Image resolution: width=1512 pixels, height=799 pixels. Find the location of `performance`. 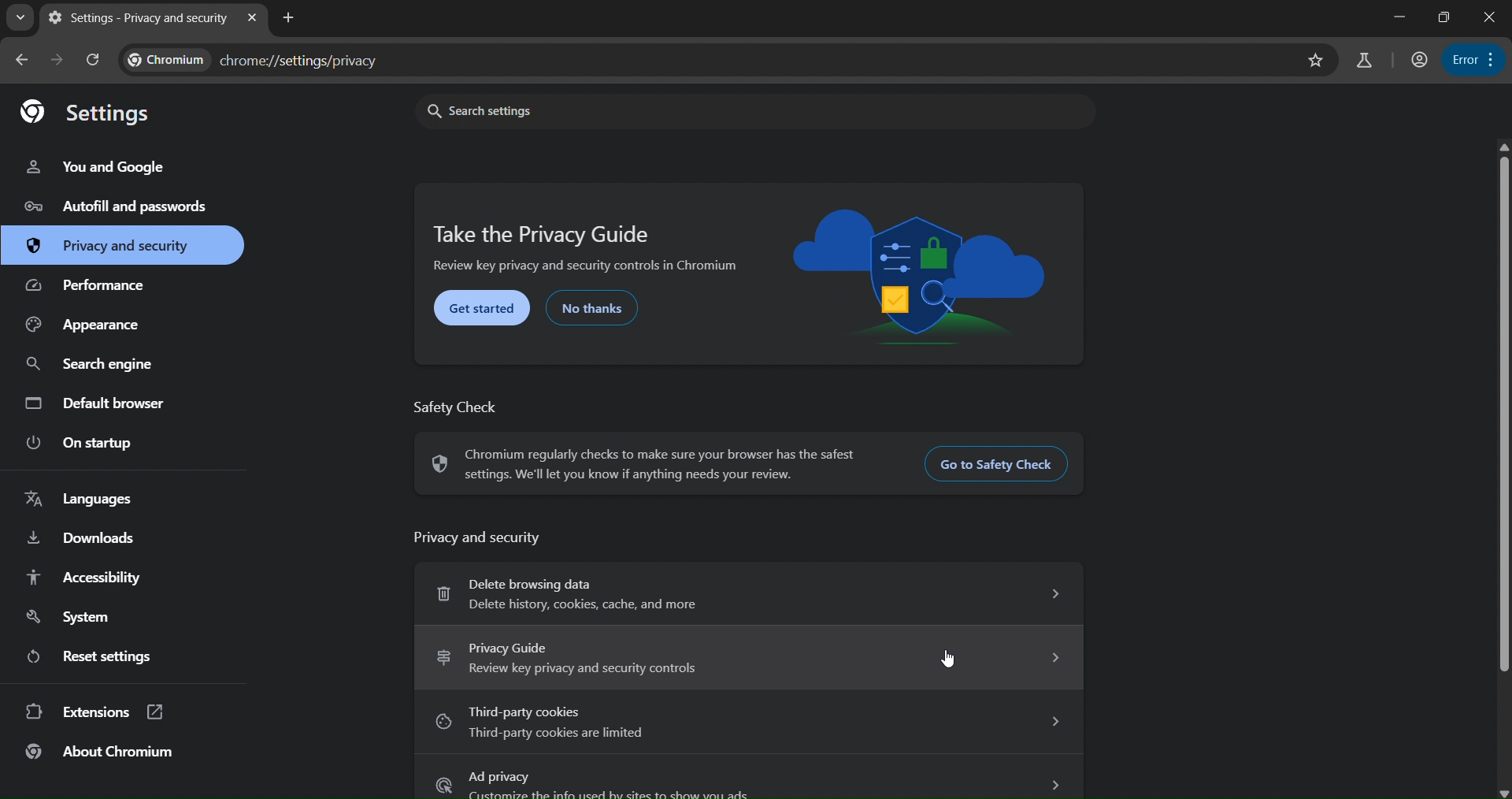

performance is located at coordinates (90, 284).